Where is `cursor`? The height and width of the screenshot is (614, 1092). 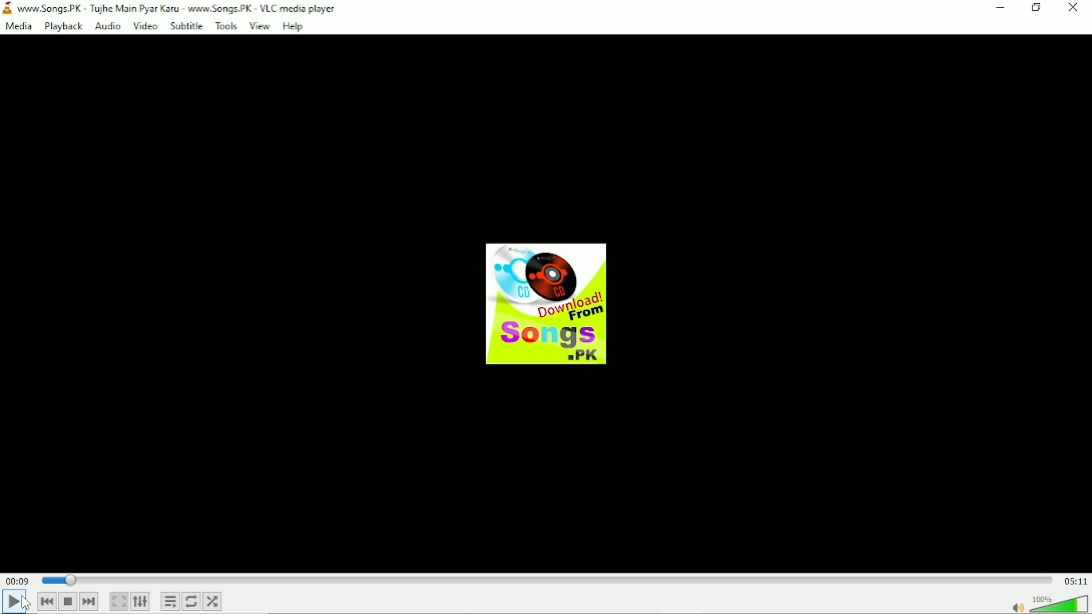
cursor is located at coordinates (27, 603).